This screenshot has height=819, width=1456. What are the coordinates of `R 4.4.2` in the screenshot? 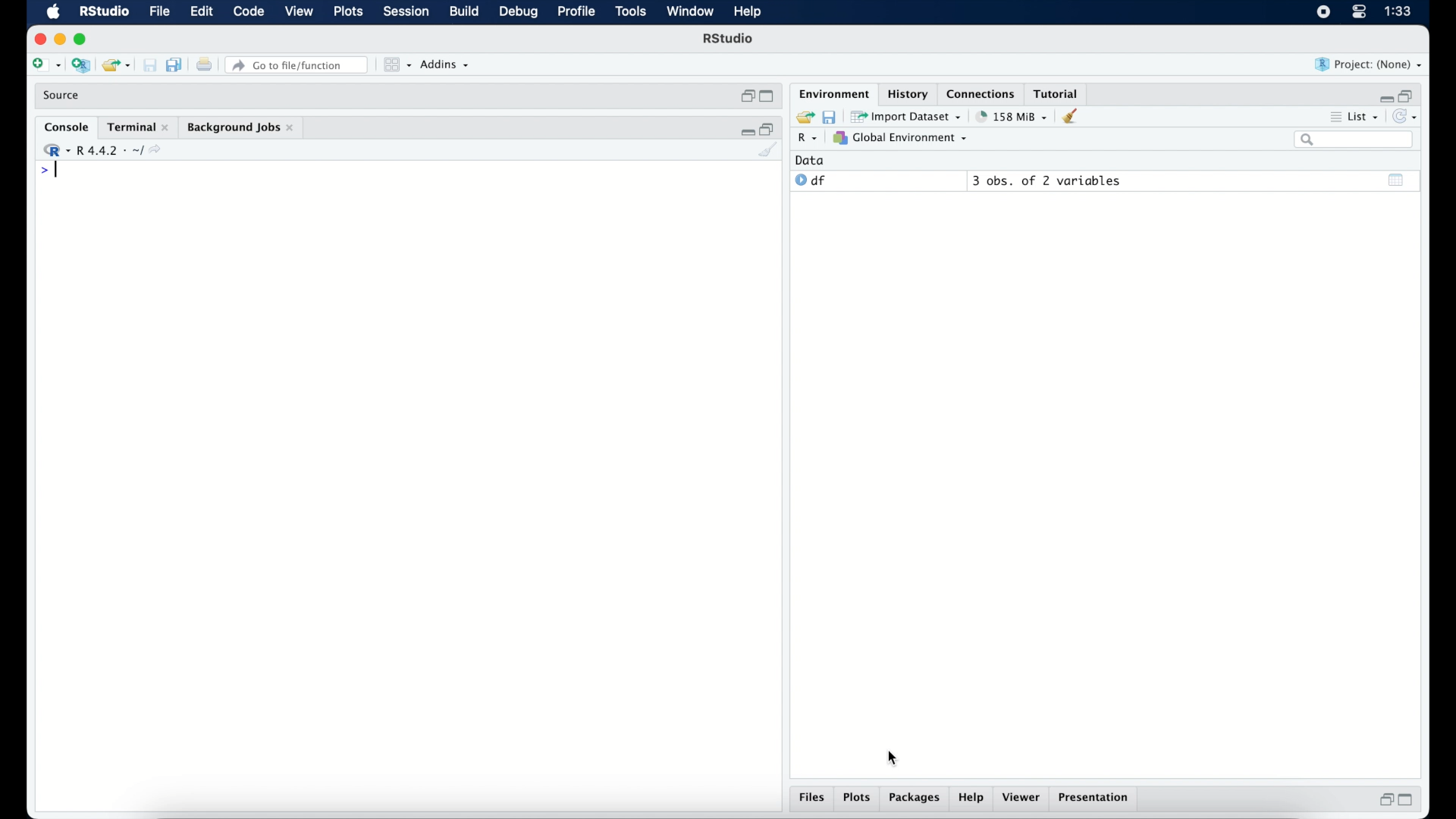 It's located at (105, 150).